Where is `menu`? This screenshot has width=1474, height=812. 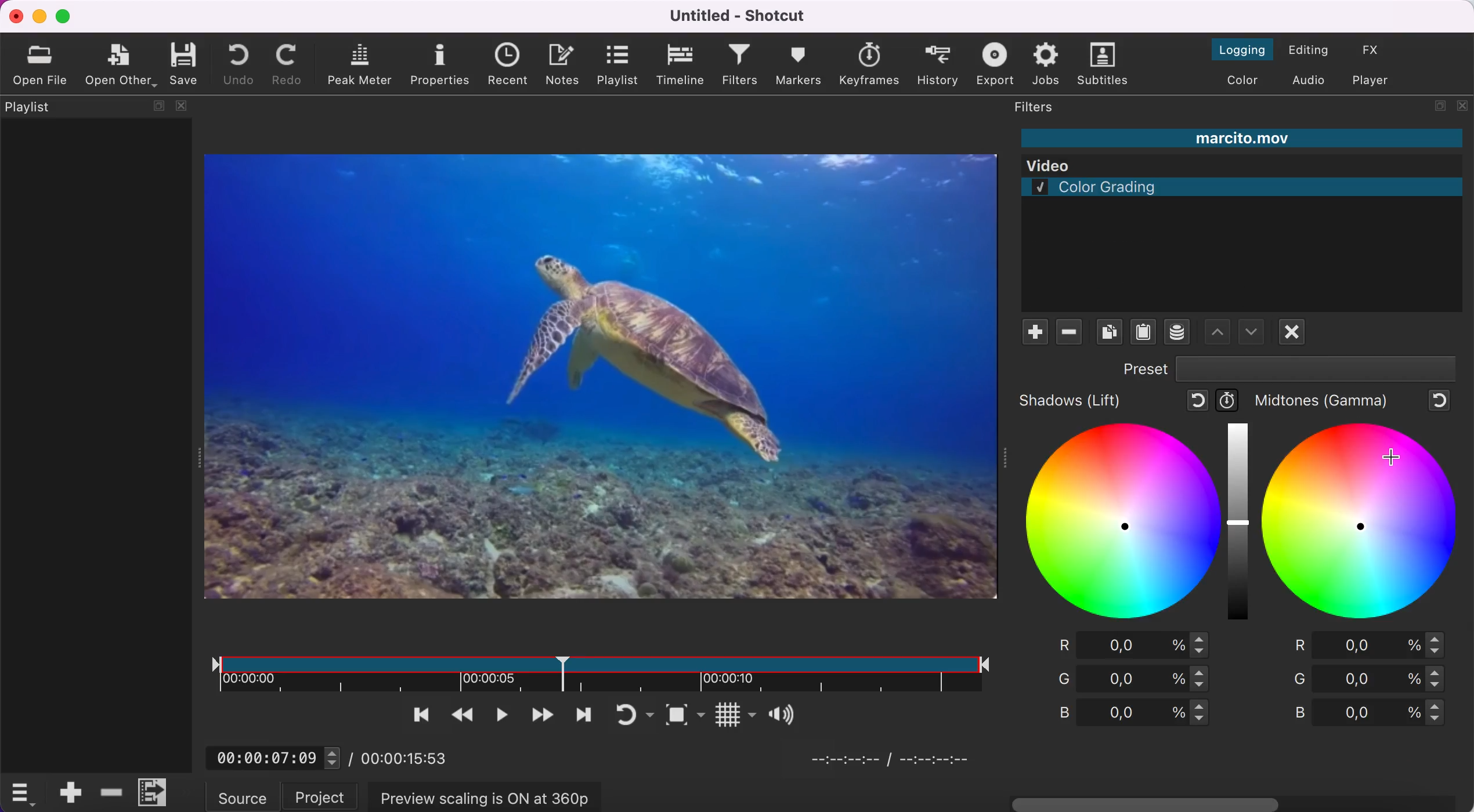 menu is located at coordinates (156, 791).